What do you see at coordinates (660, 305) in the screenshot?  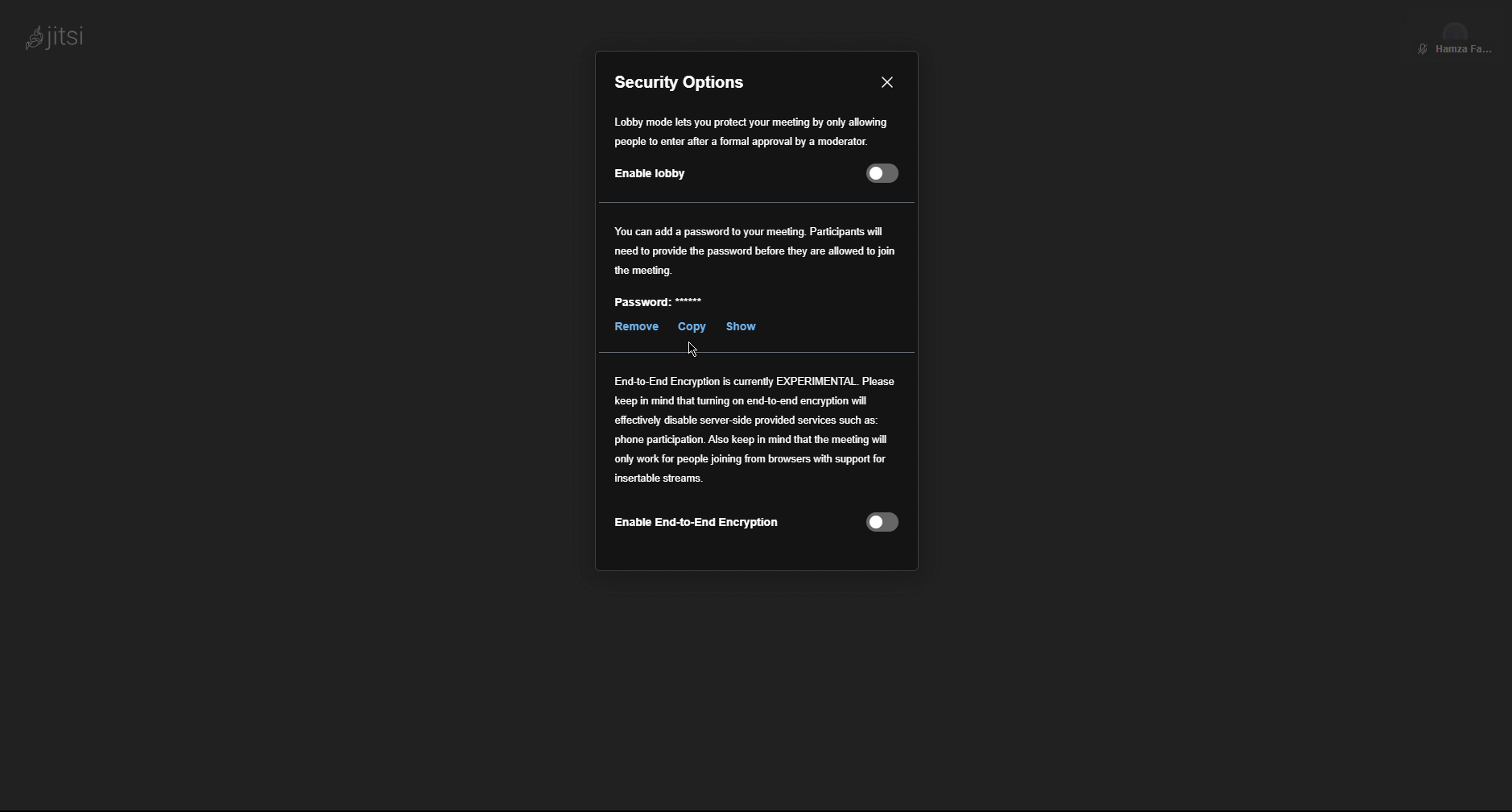 I see `Password` at bounding box center [660, 305].